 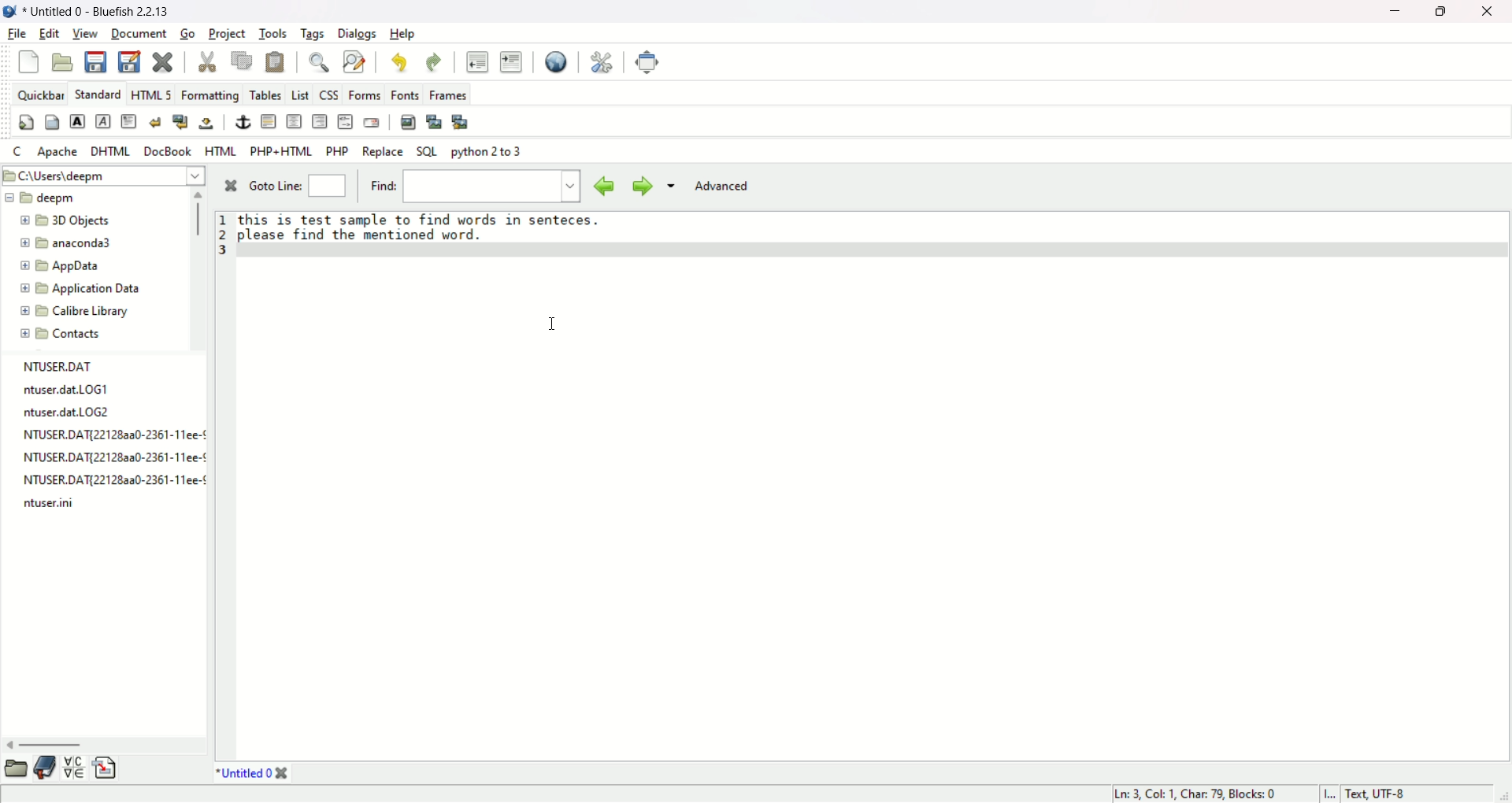 What do you see at coordinates (15, 149) in the screenshot?
I see `C` at bounding box center [15, 149].